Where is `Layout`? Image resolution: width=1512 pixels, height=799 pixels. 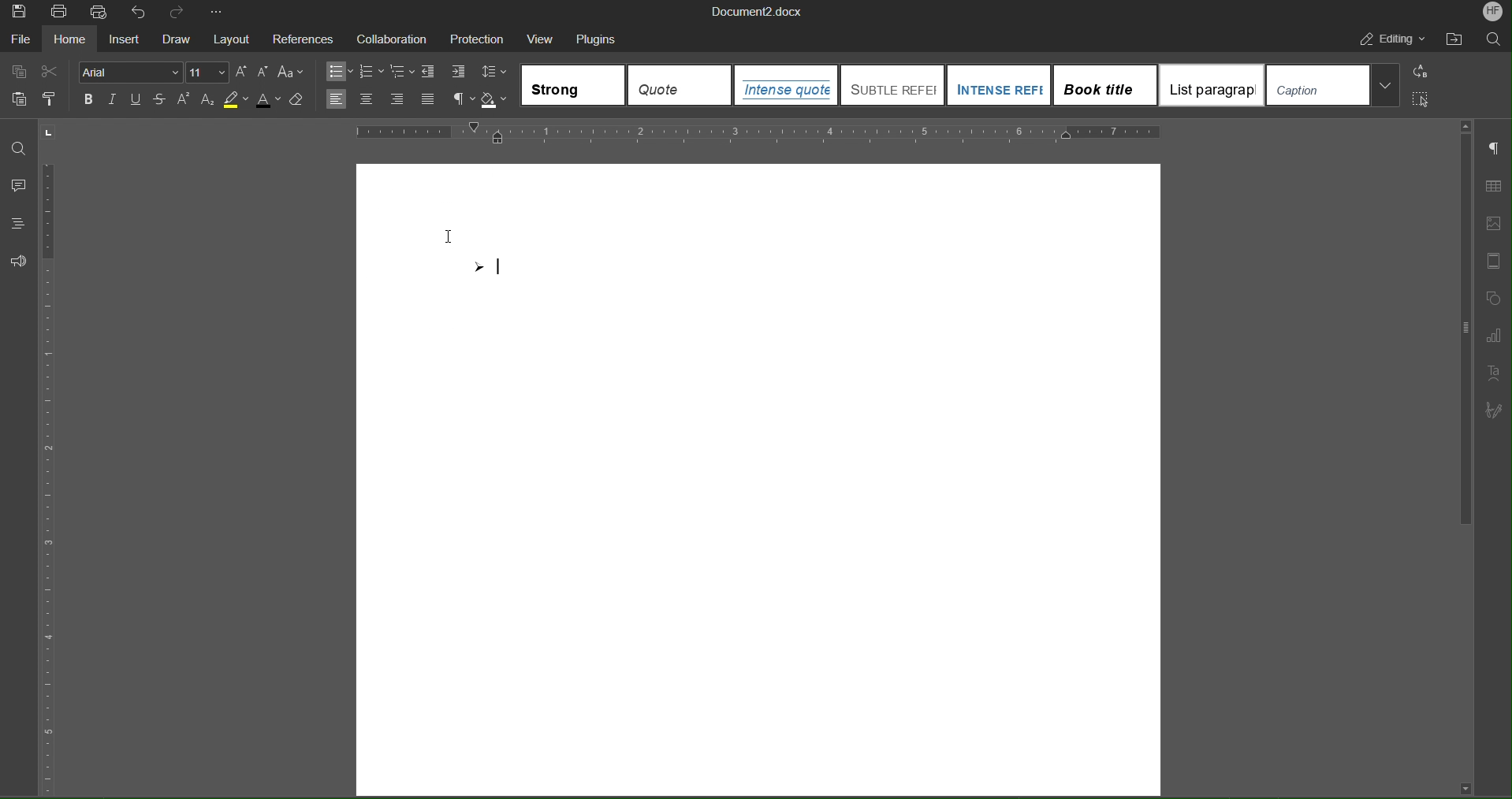
Layout is located at coordinates (233, 39).